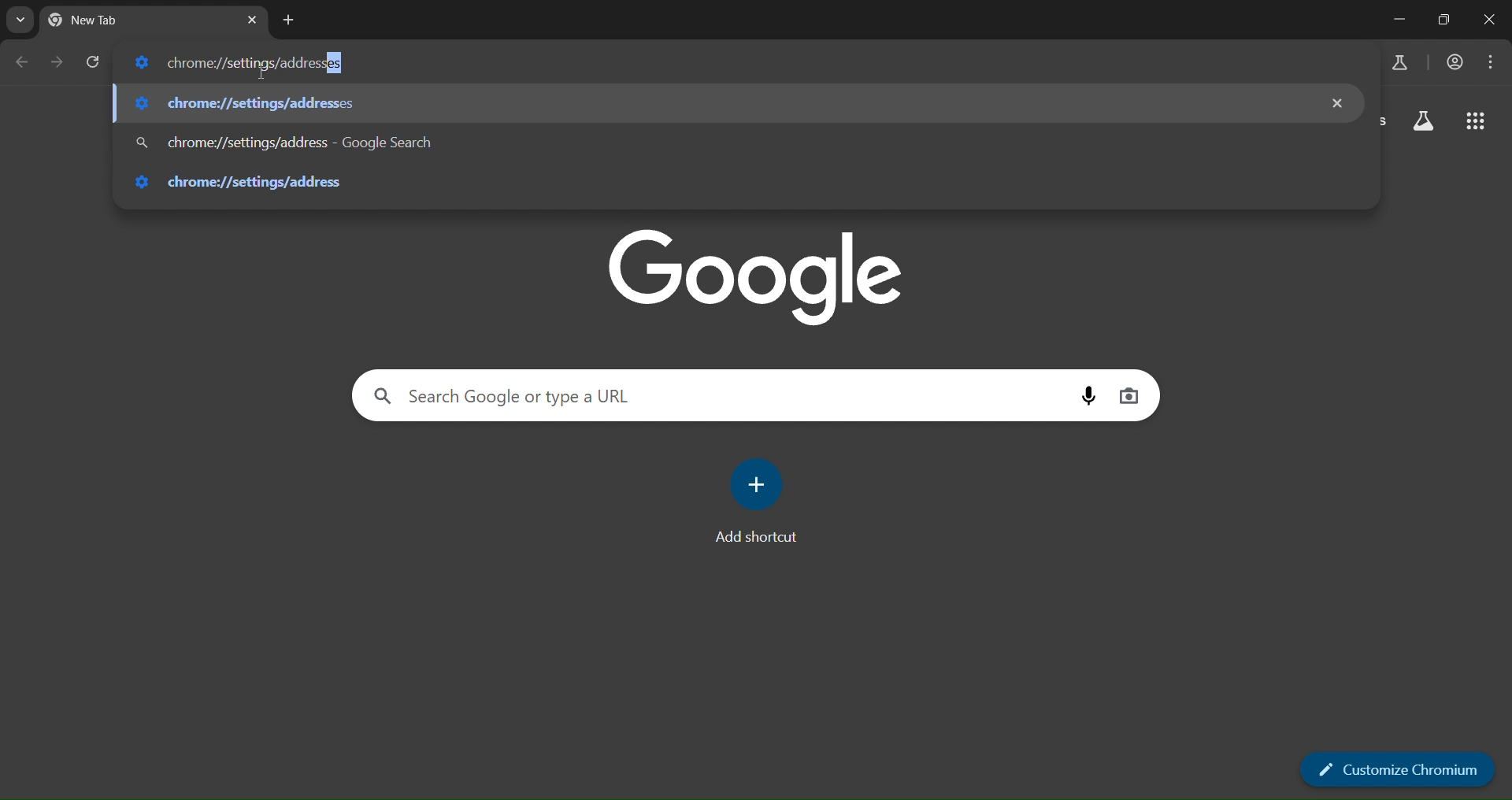  Describe the element at coordinates (760, 273) in the screenshot. I see `image` at that location.